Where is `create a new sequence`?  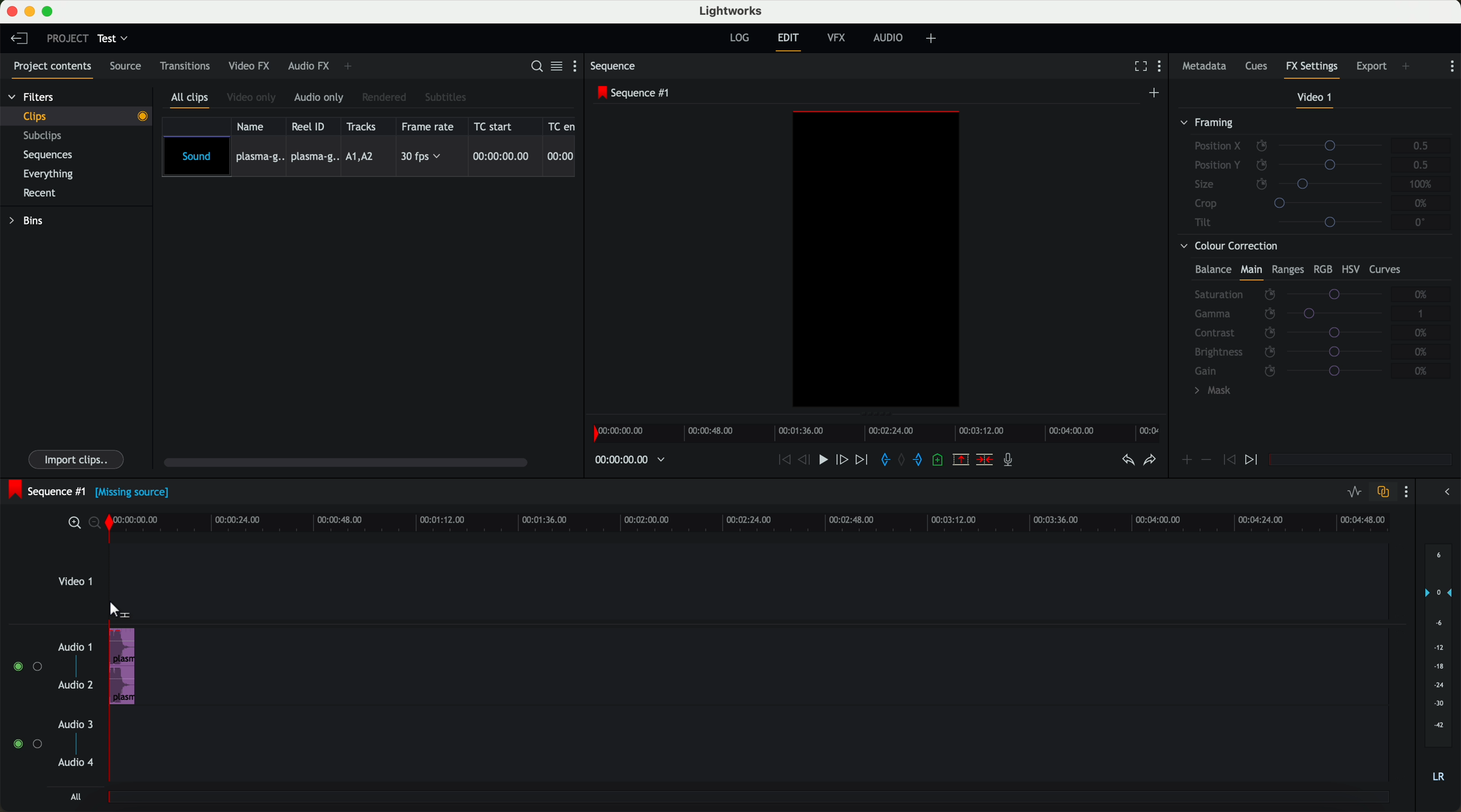
create a new sequence is located at coordinates (1155, 92).